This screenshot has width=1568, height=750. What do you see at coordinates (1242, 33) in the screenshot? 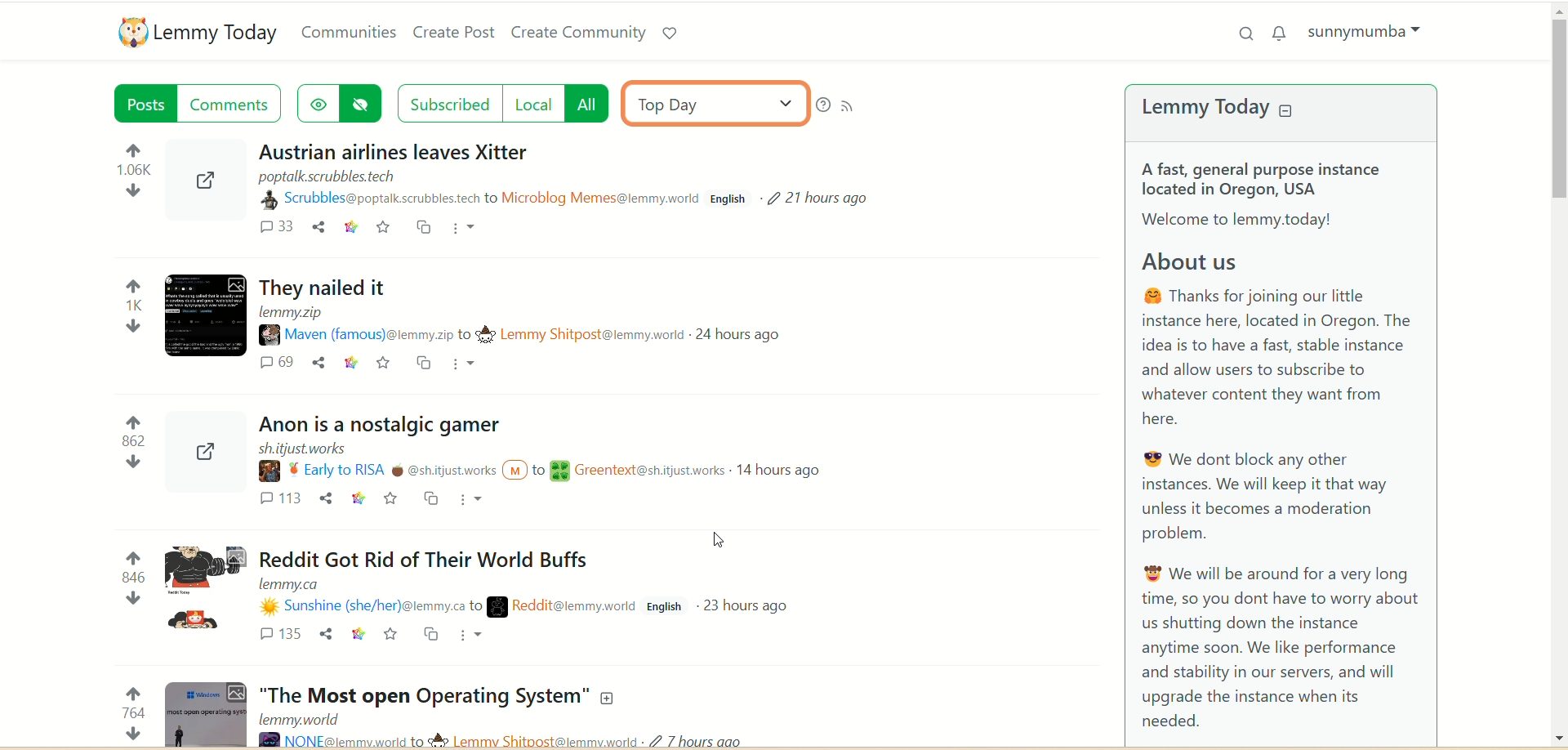
I see `search` at bounding box center [1242, 33].